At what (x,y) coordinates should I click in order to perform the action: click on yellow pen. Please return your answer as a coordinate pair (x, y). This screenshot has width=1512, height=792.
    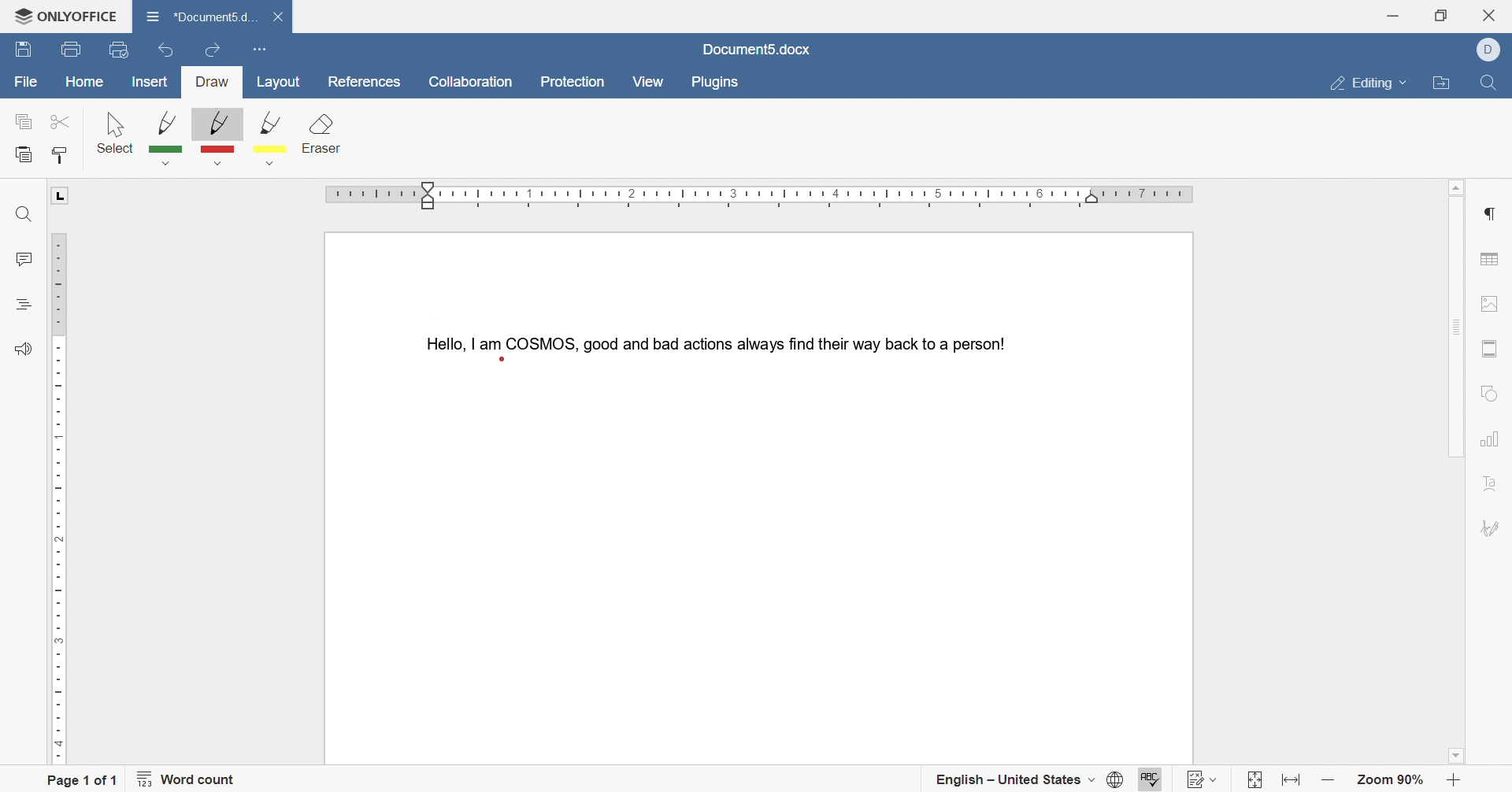
    Looking at the image, I should click on (276, 141).